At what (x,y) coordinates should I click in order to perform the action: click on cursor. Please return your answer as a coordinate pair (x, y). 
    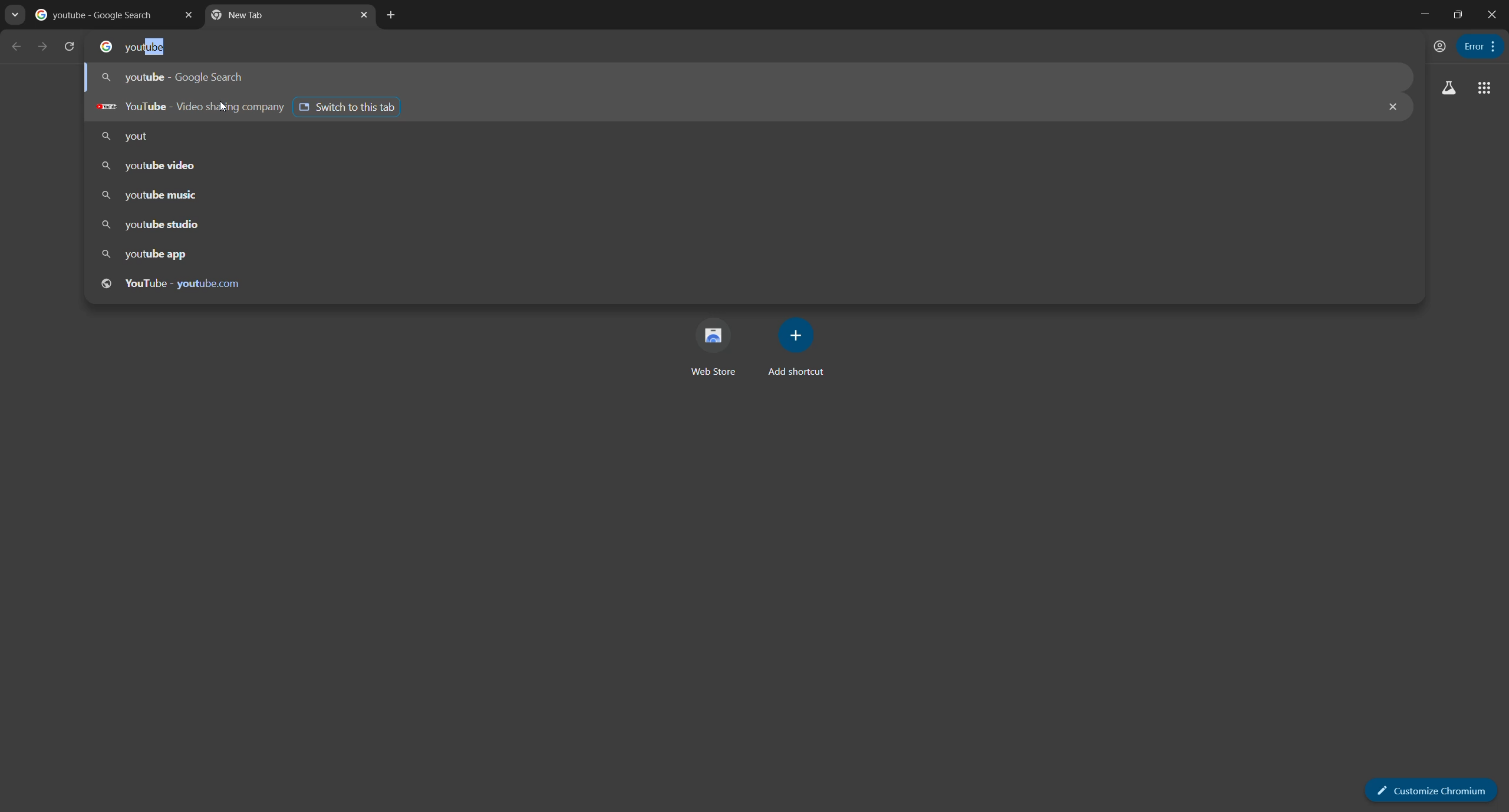
    Looking at the image, I should click on (222, 108).